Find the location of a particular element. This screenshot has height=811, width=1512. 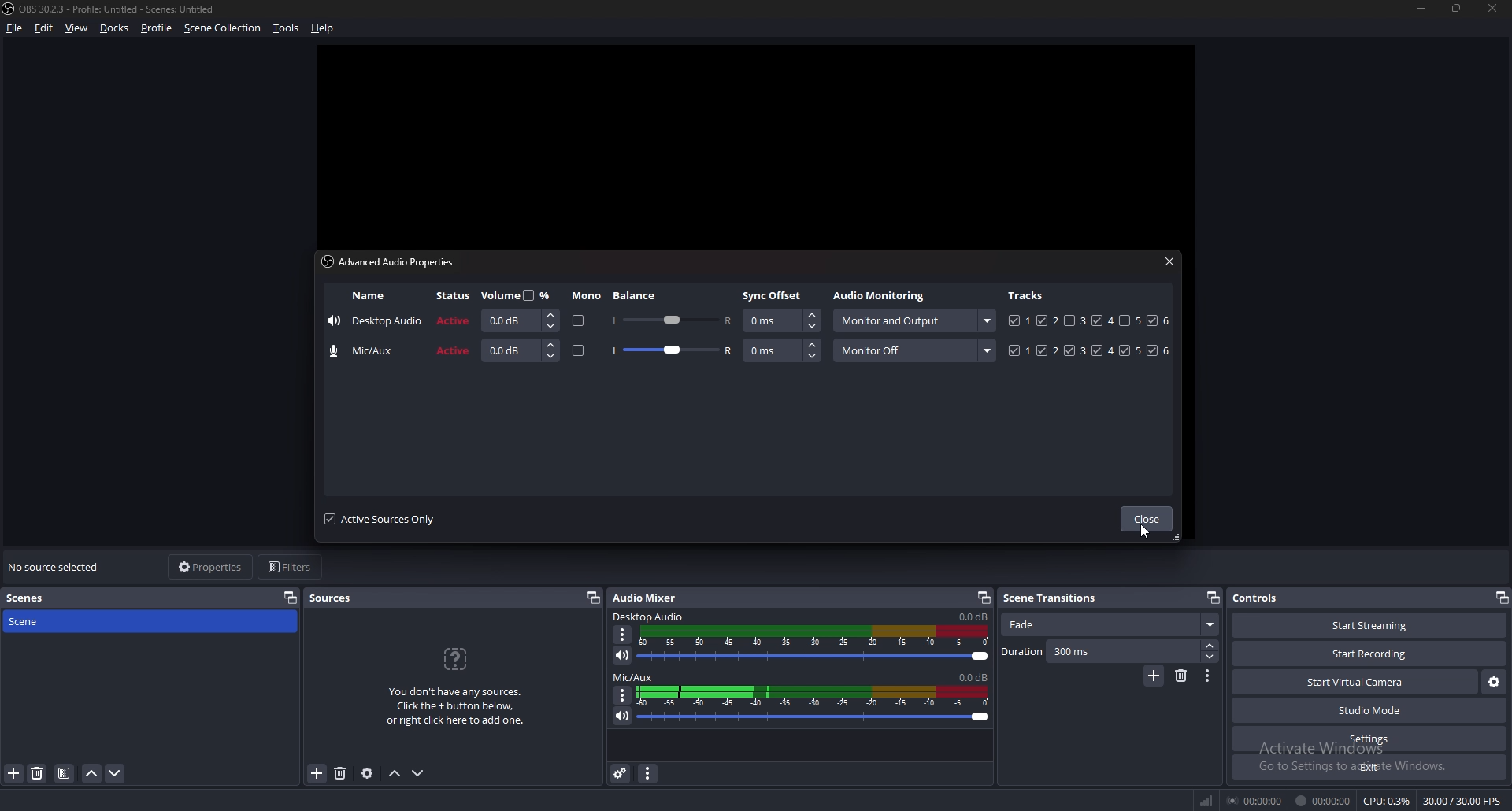

source properties is located at coordinates (366, 774).